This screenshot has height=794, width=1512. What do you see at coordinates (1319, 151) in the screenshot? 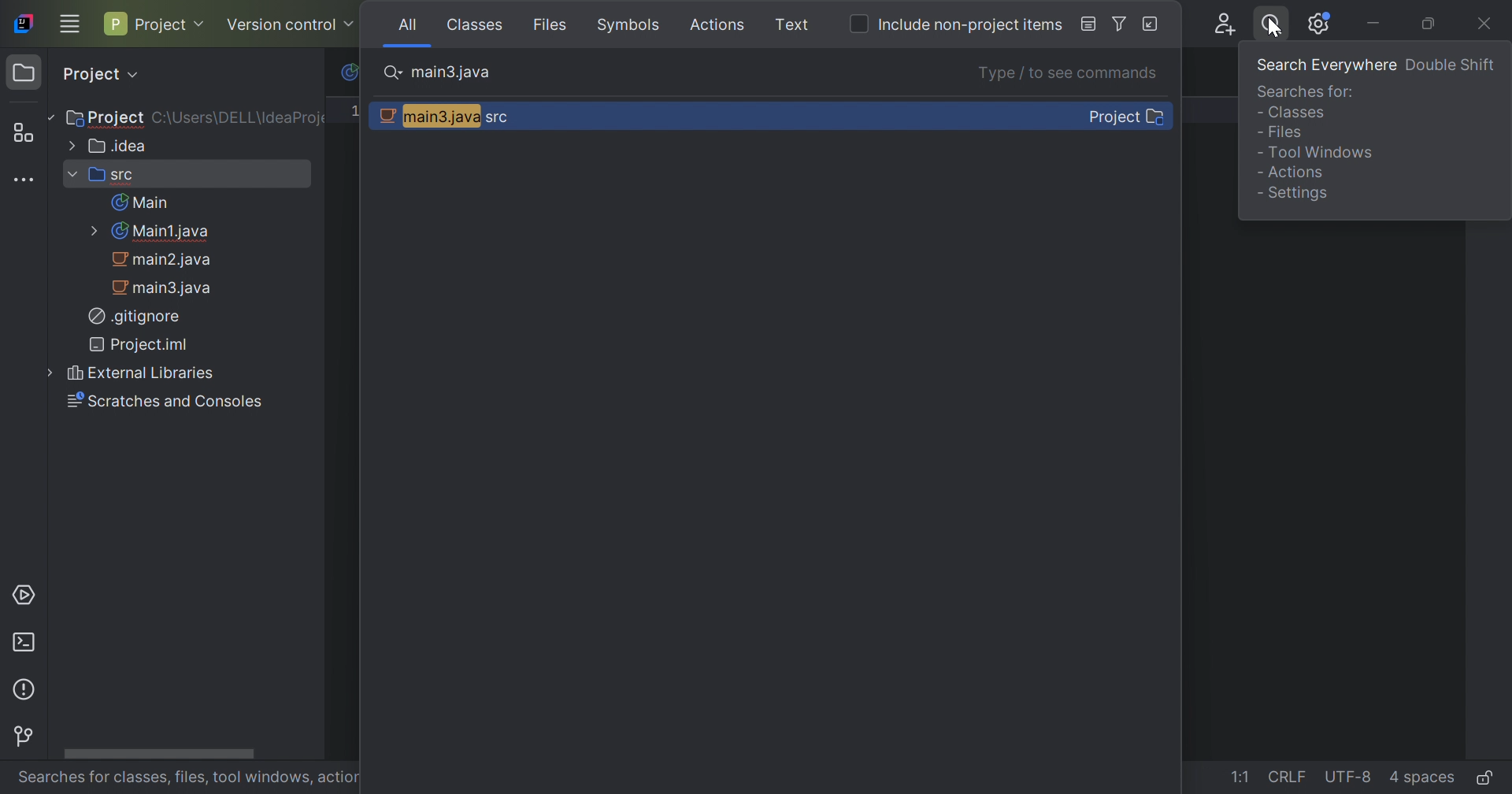
I see `Tool Windows` at bounding box center [1319, 151].